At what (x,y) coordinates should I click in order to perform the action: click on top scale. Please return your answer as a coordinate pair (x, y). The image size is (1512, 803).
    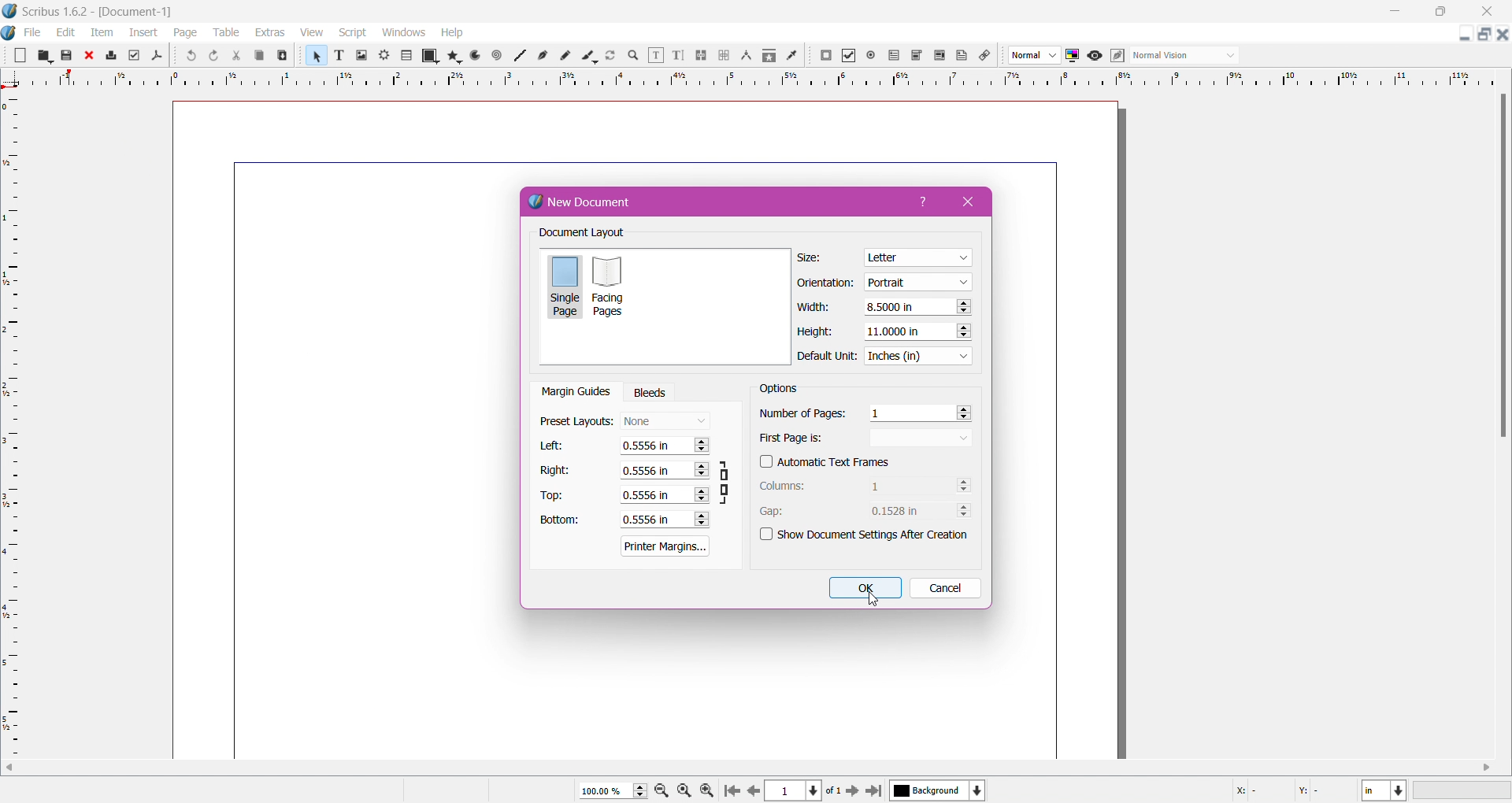
    Looking at the image, I should click on (755, 78).